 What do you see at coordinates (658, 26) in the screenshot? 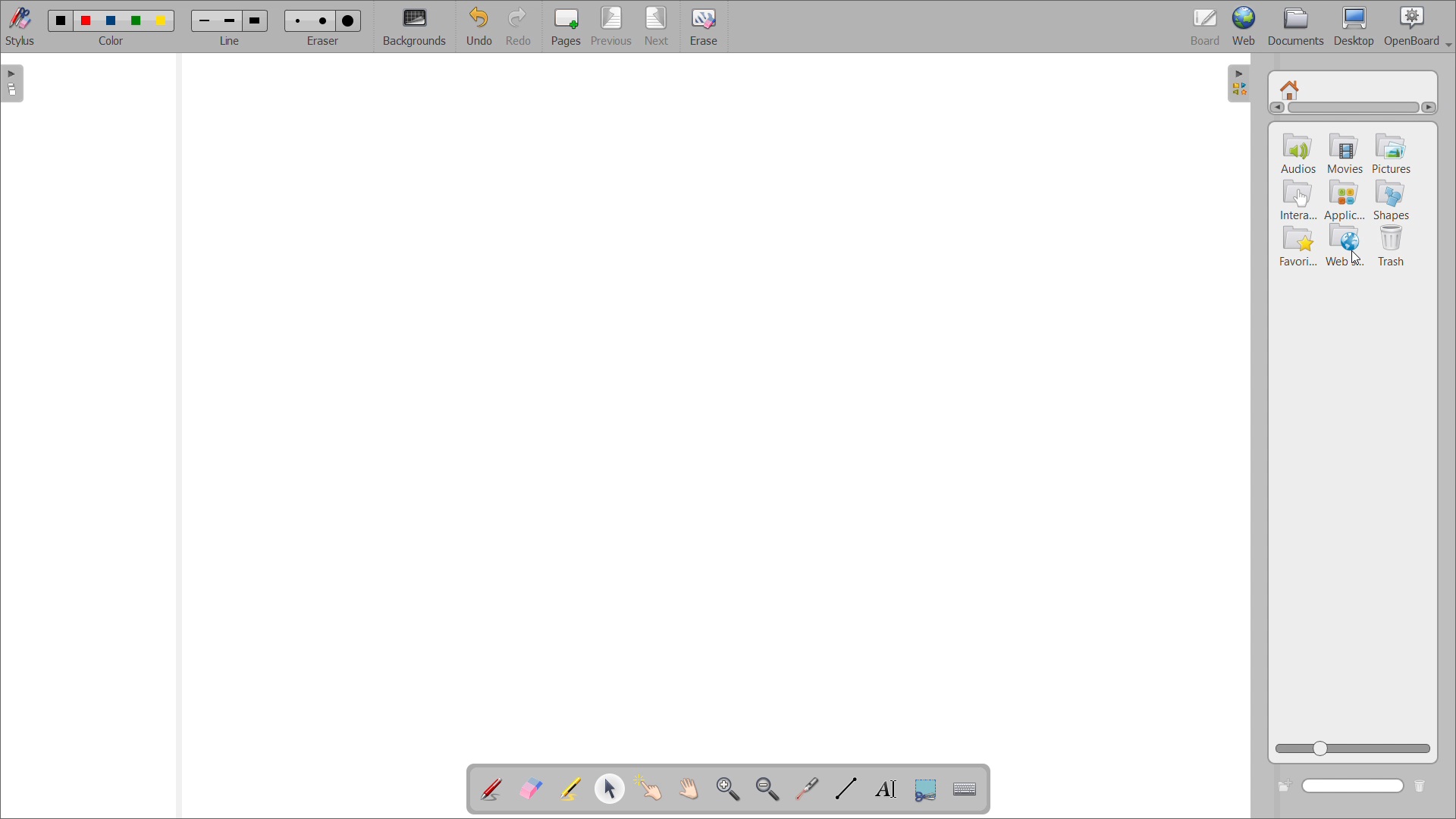
I see `next page` at bounding box center [658, 26].